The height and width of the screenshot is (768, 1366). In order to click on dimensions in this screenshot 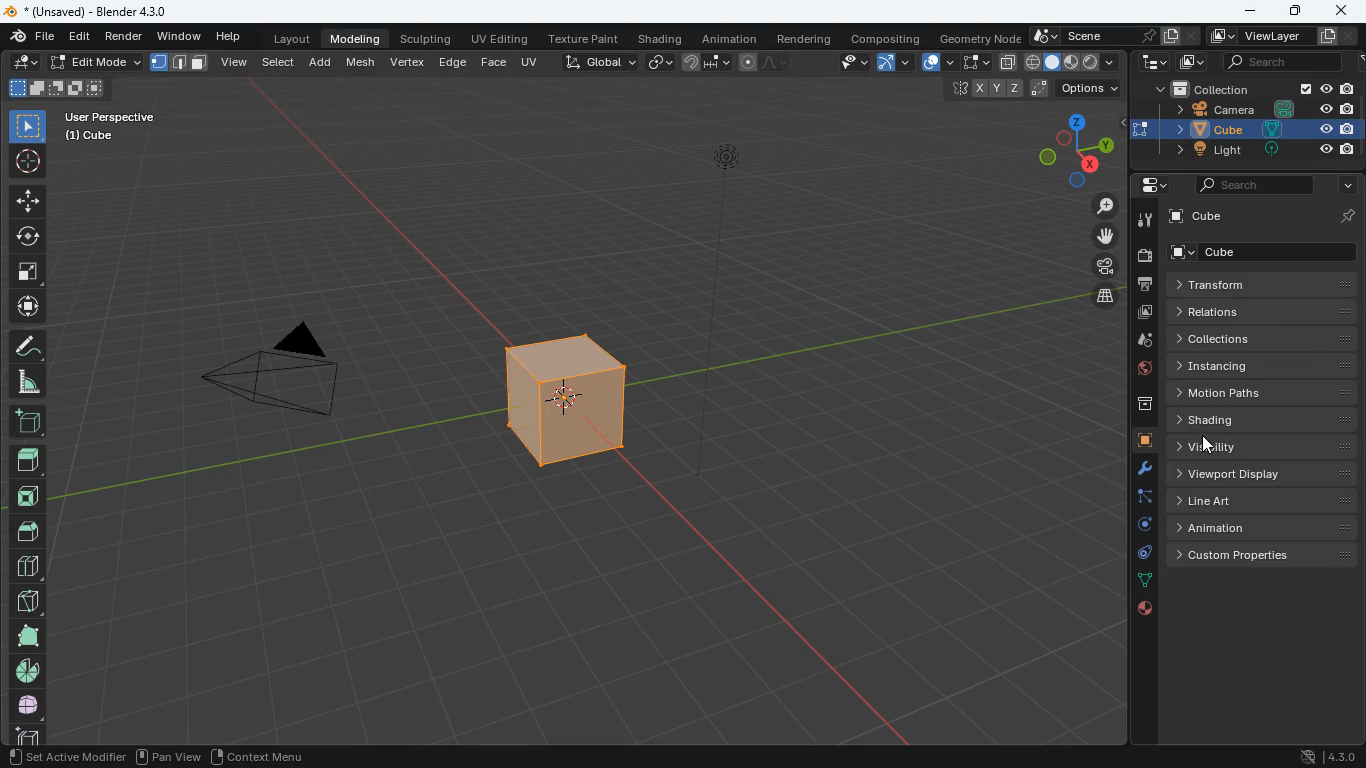, I will do `click(1075, 151)`.